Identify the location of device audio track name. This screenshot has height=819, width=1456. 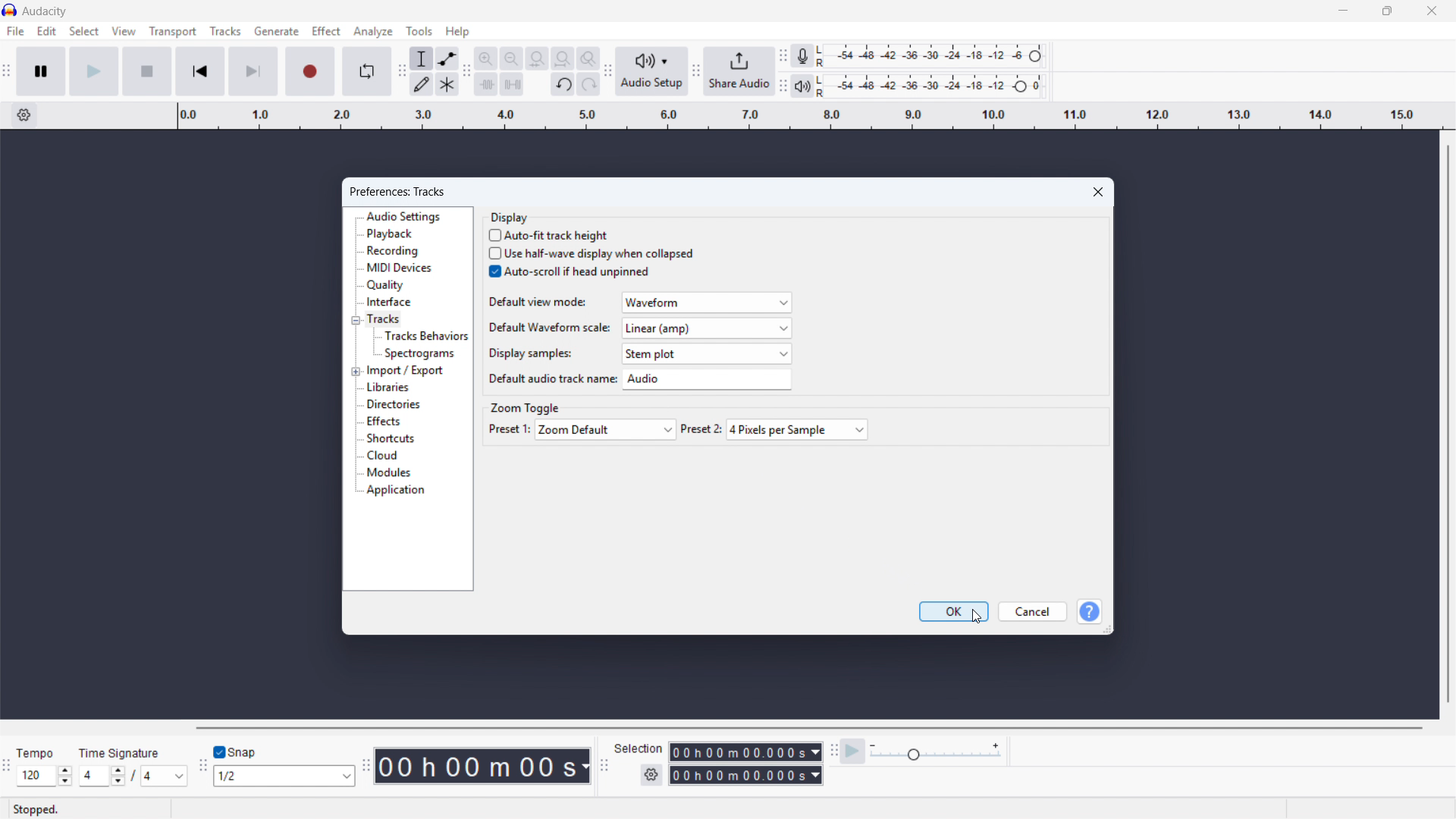
(637, 380).